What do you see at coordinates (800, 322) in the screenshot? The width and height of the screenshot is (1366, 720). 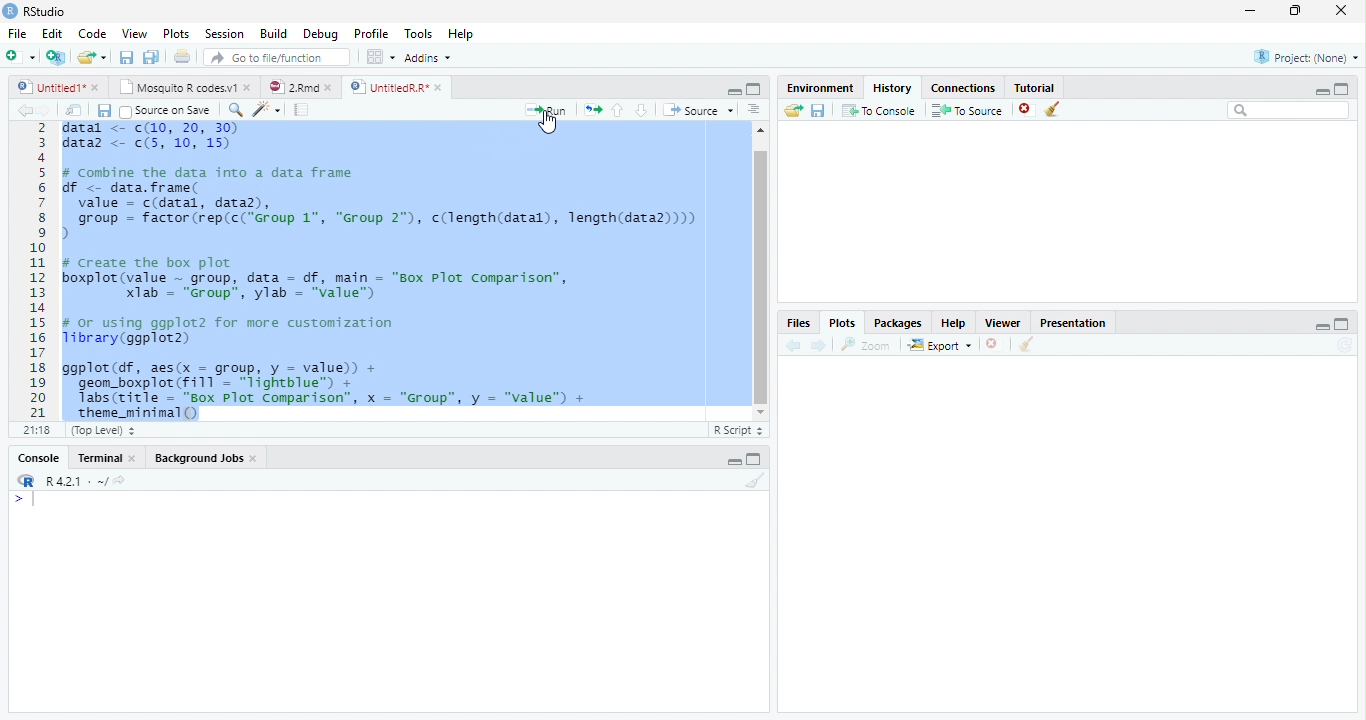 I see `Files` at bounding box center [800, 322].